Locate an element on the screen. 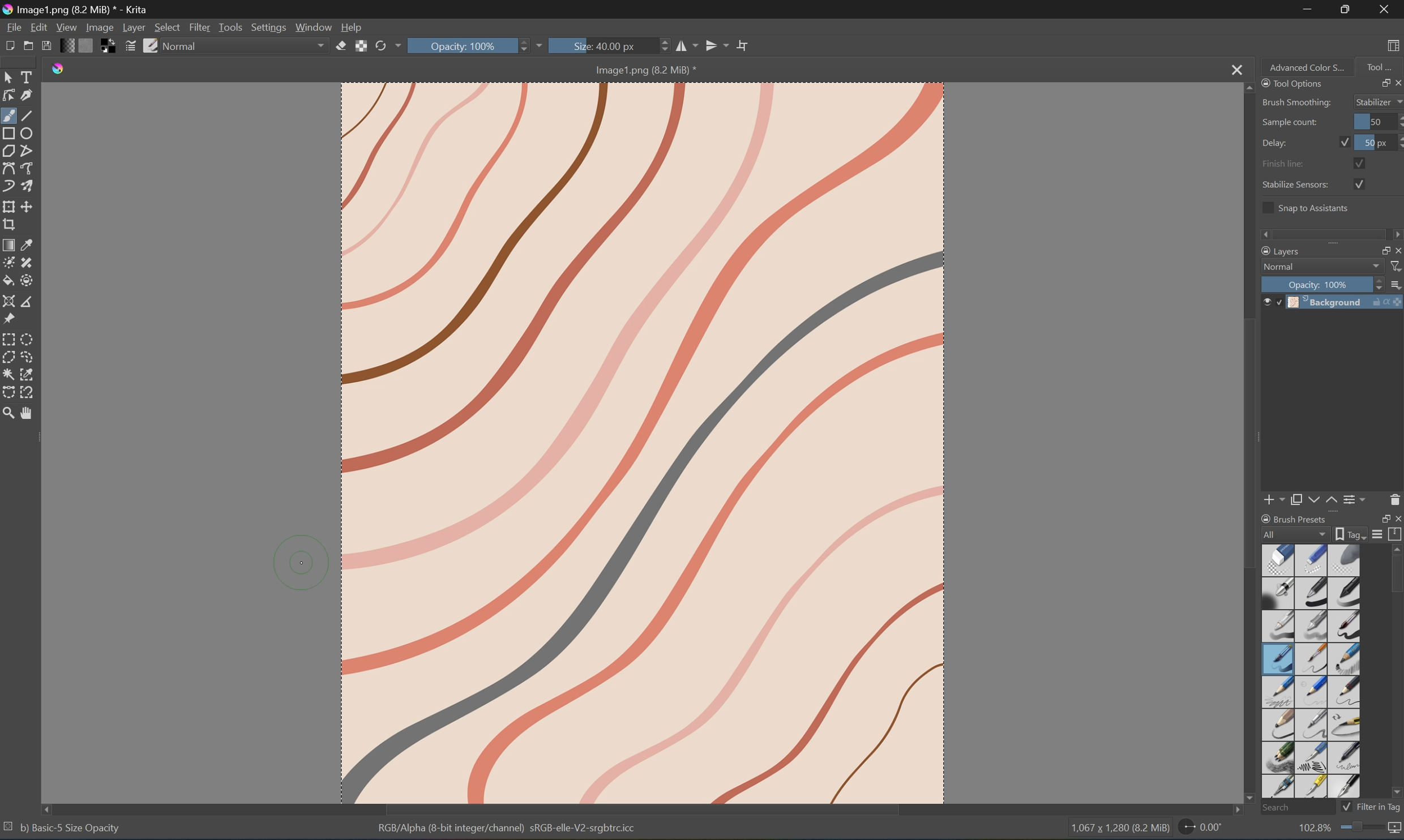  Transform the layer or selection is located at coordinates (9, 206).